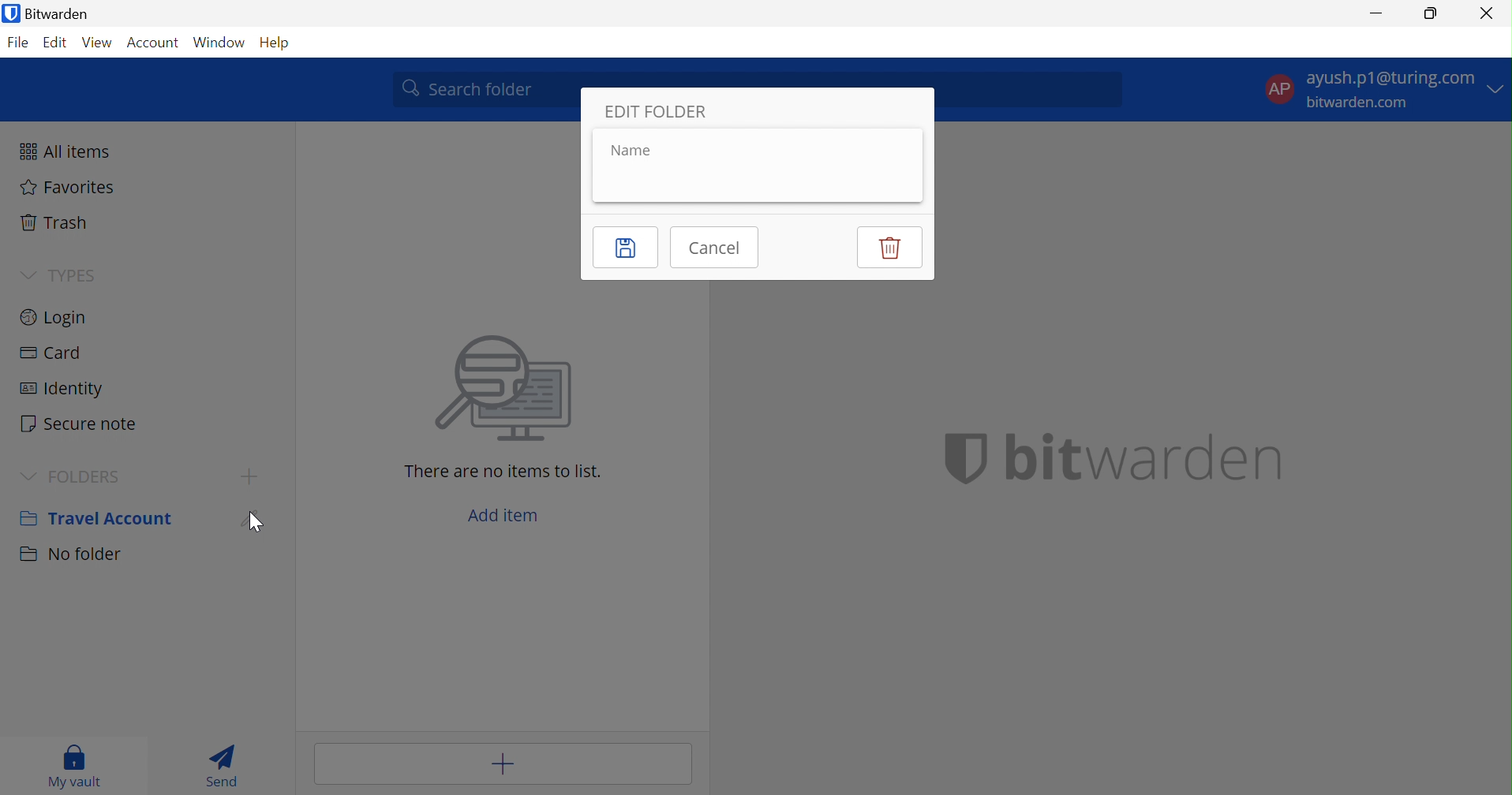 The image size is (1512, 795). I want to click on Travel Account, so click(96, 517).